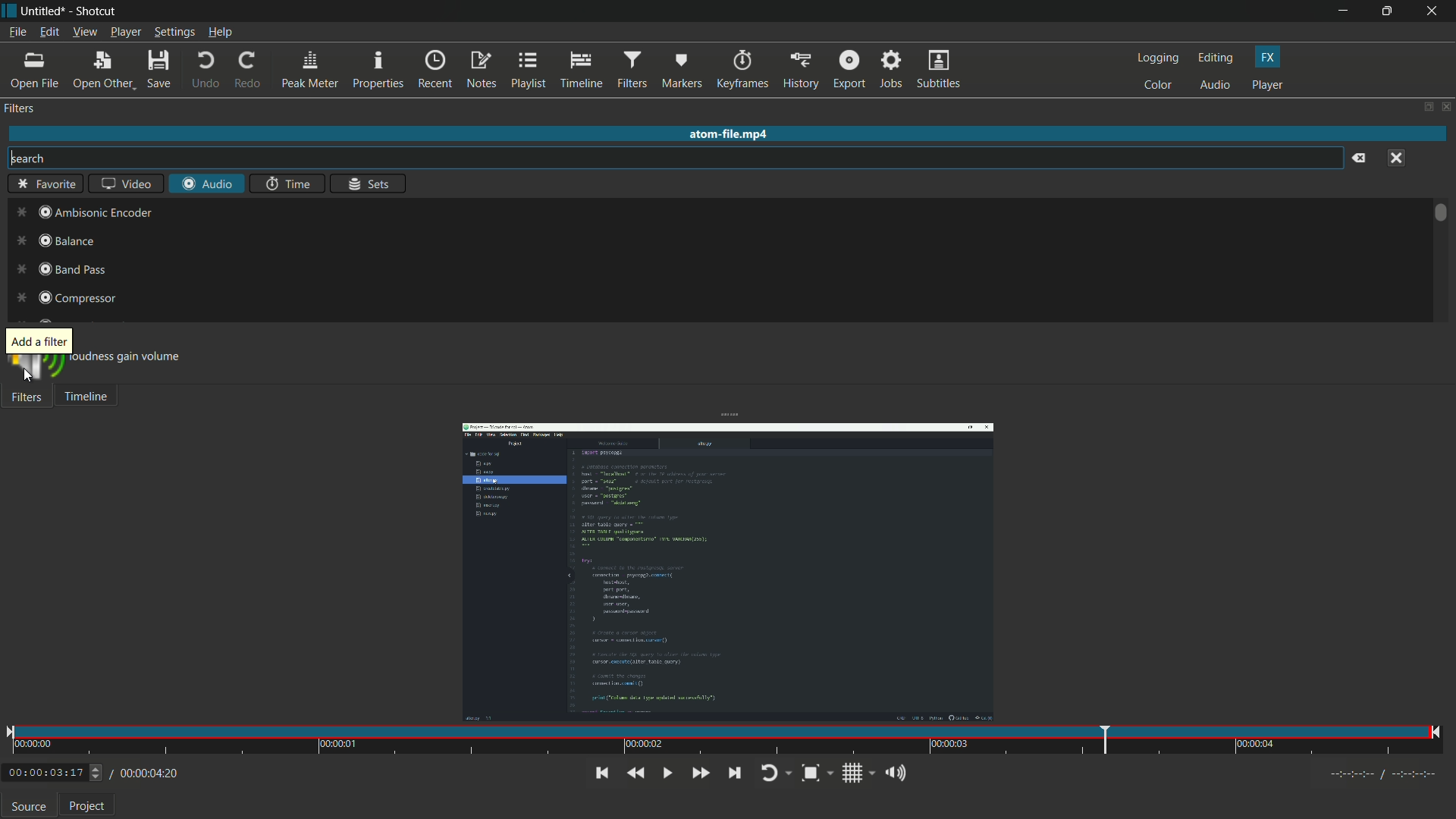  Describe the element at coordinates (64, 297) in the screenshot. I see `compressor` at that location.